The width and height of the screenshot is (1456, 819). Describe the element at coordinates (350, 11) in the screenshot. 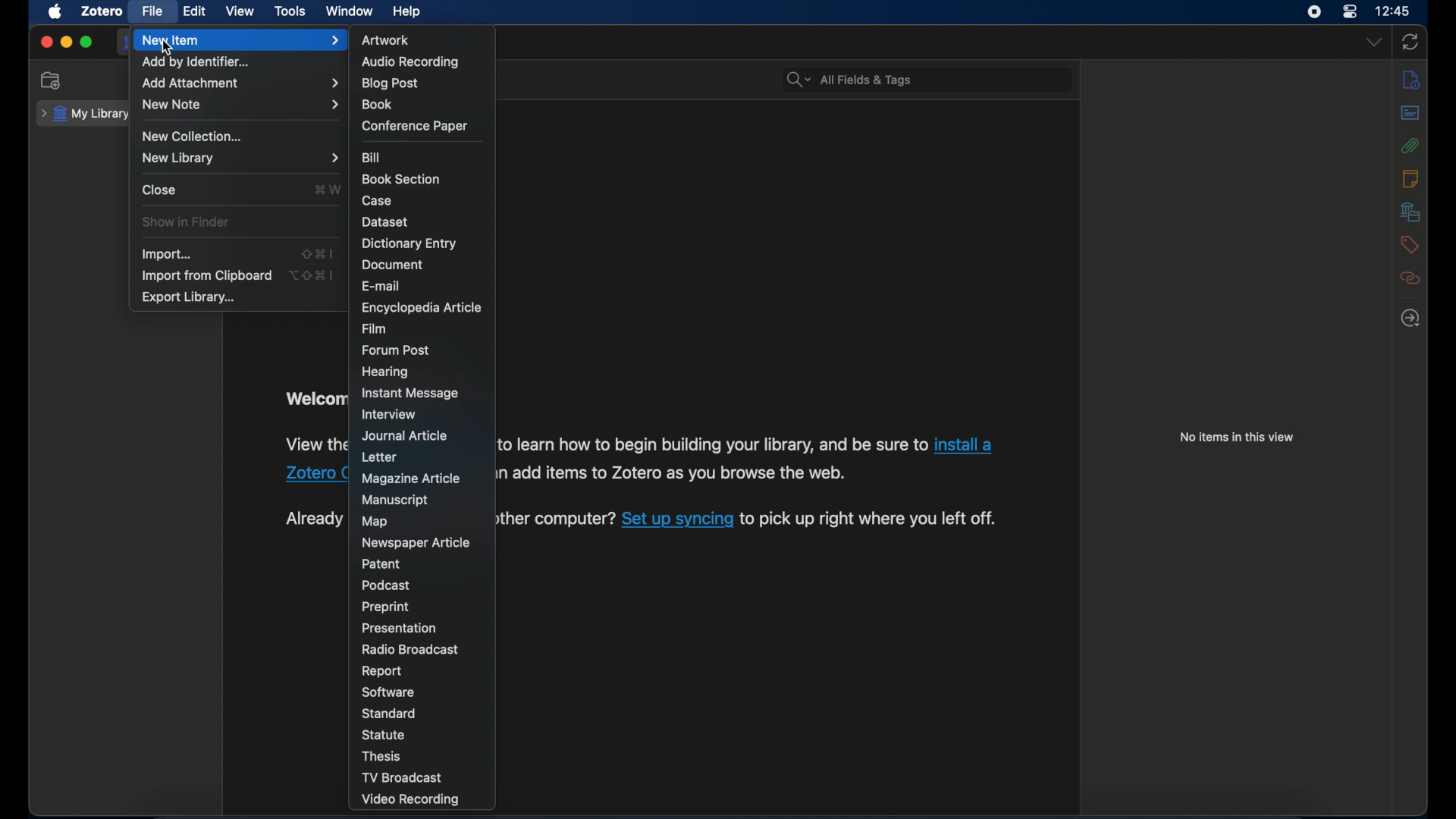

I see `window` at that location.